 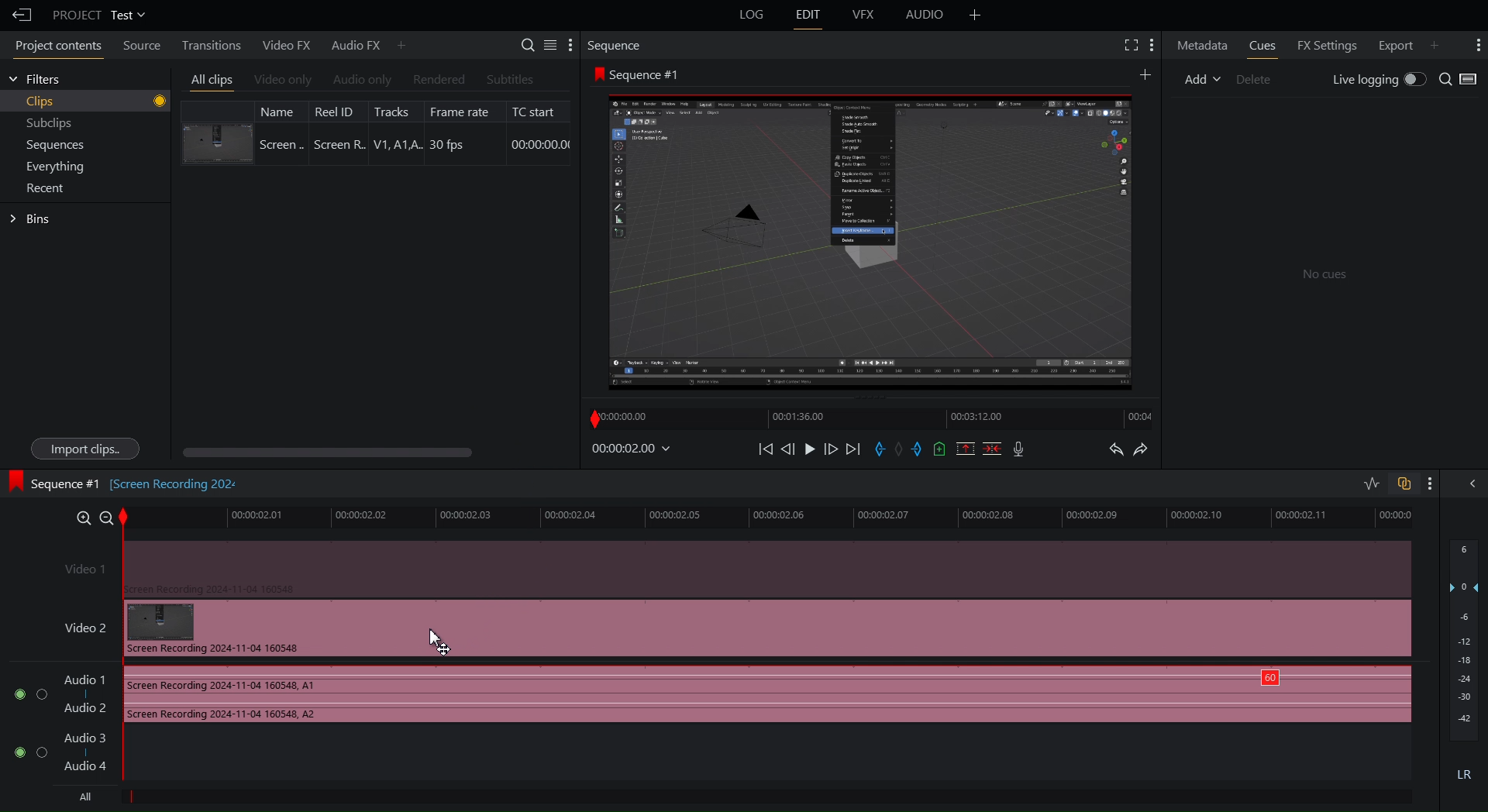 What do you see at coordinates (212, 81) in the screenshot?
I see `All clips` at bounding box center [212, 81].